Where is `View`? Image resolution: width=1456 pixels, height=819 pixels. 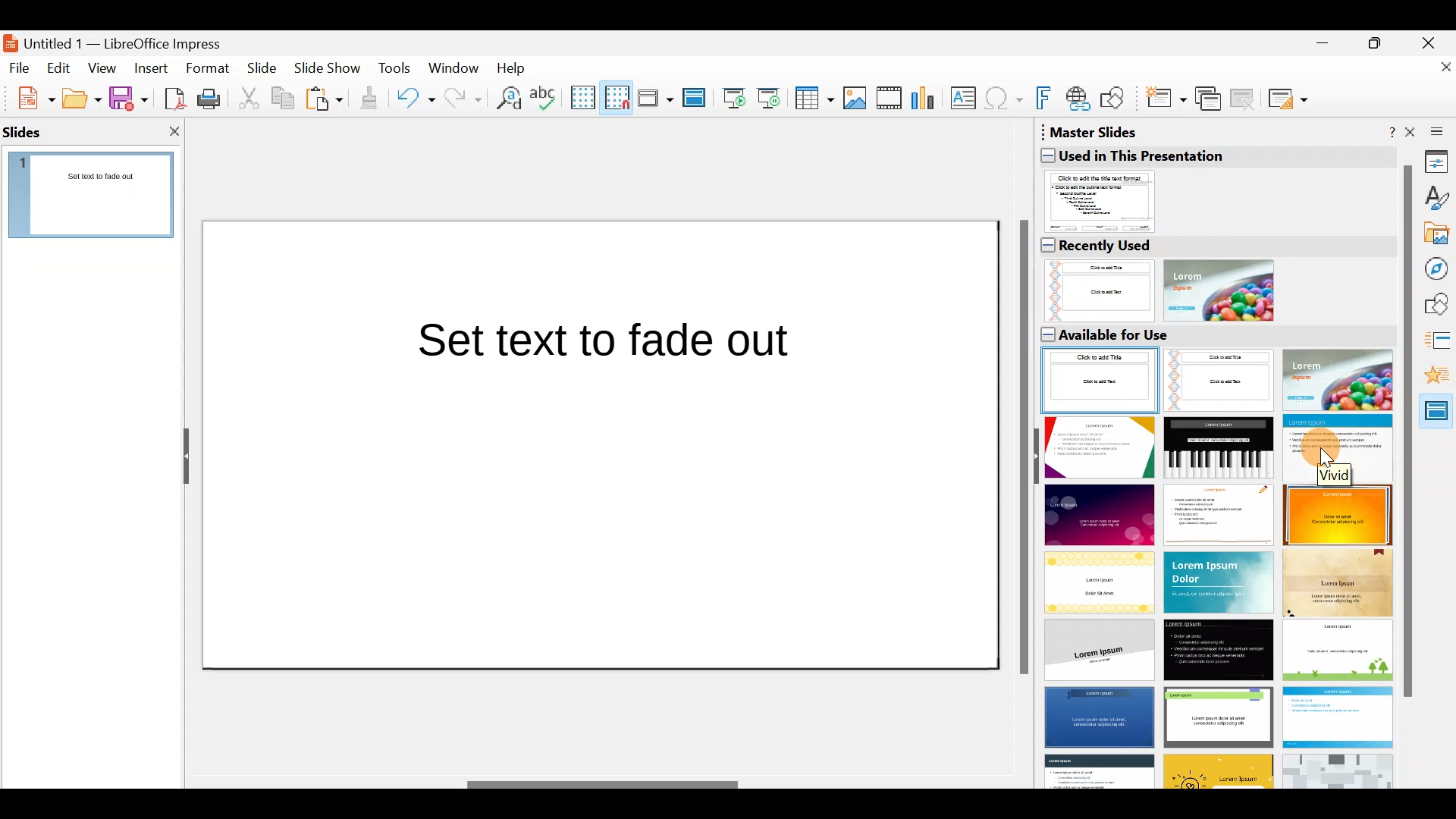
View is located at coordinates (103, 67).